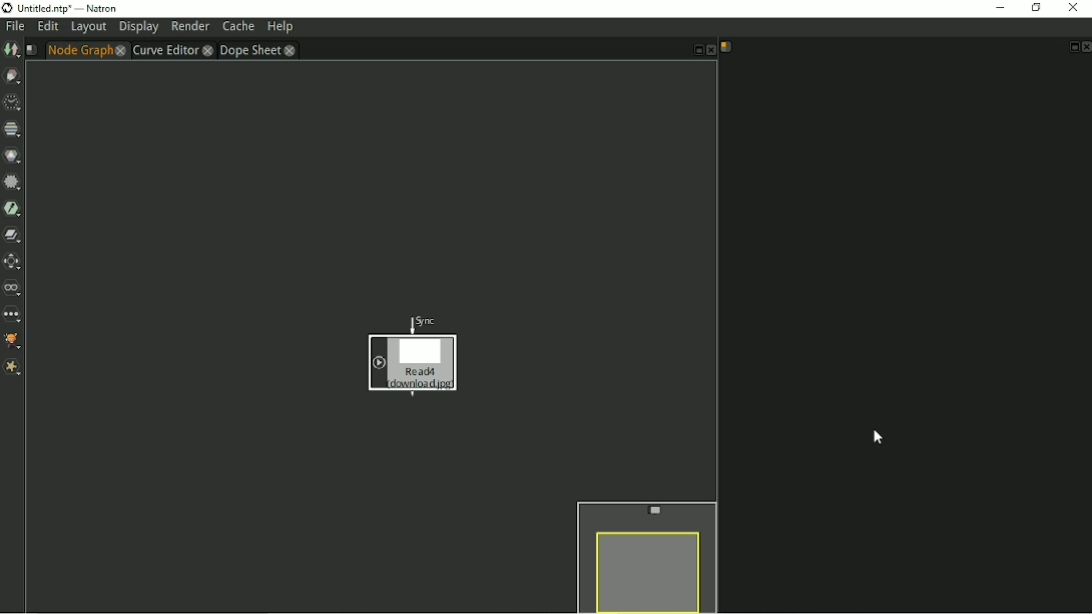  Describe the element at coordinates (13, 208) in the screenshot. I see `Keyer` at that location.